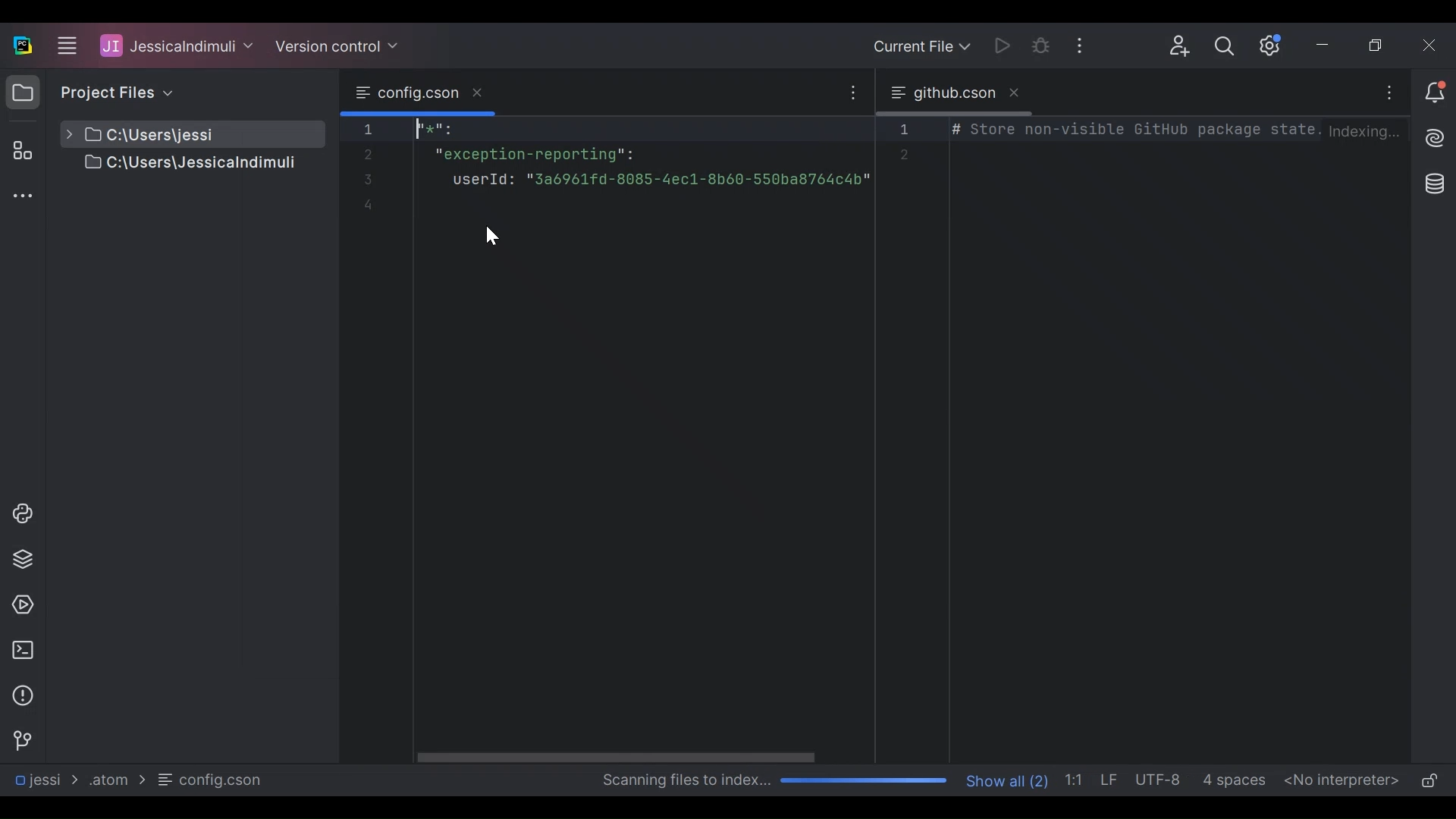 The width and height of the screenshot is (1456, 819). I want to click on Restore, so click(1379, 45).